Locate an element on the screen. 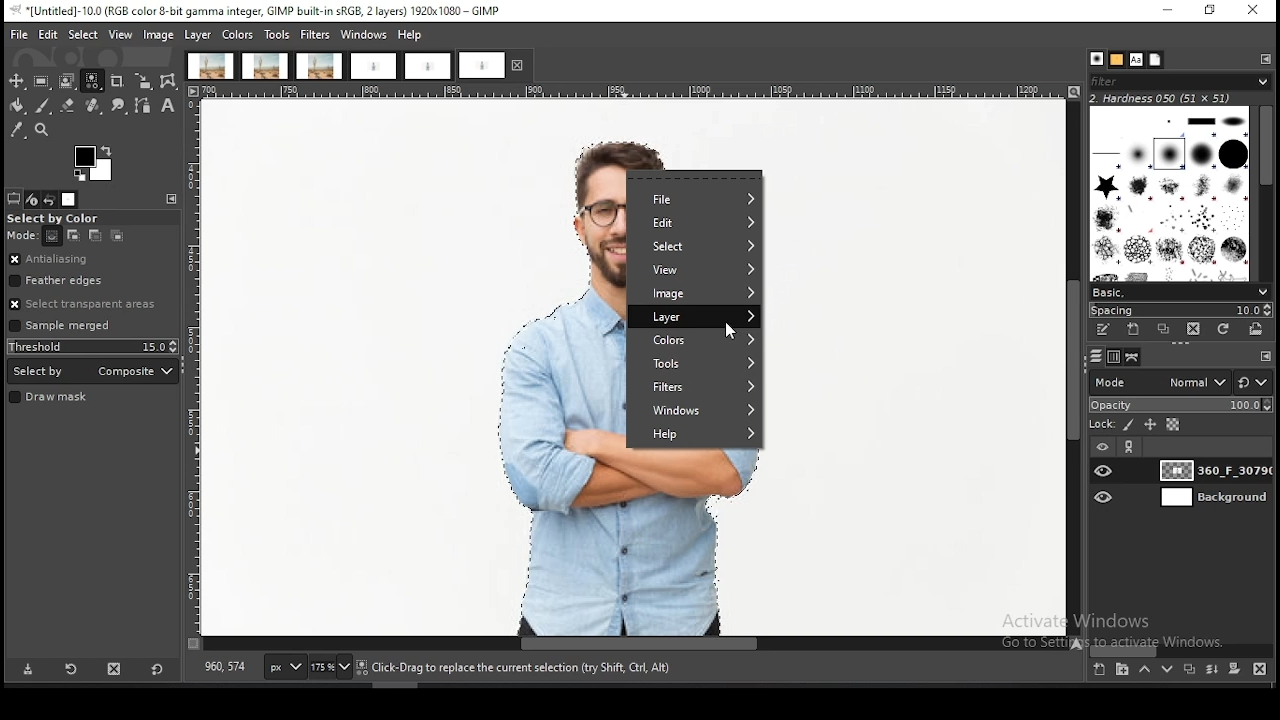 This screenshot has width=1280, height=720. open brush as image is located at coordinates (1255, 329).